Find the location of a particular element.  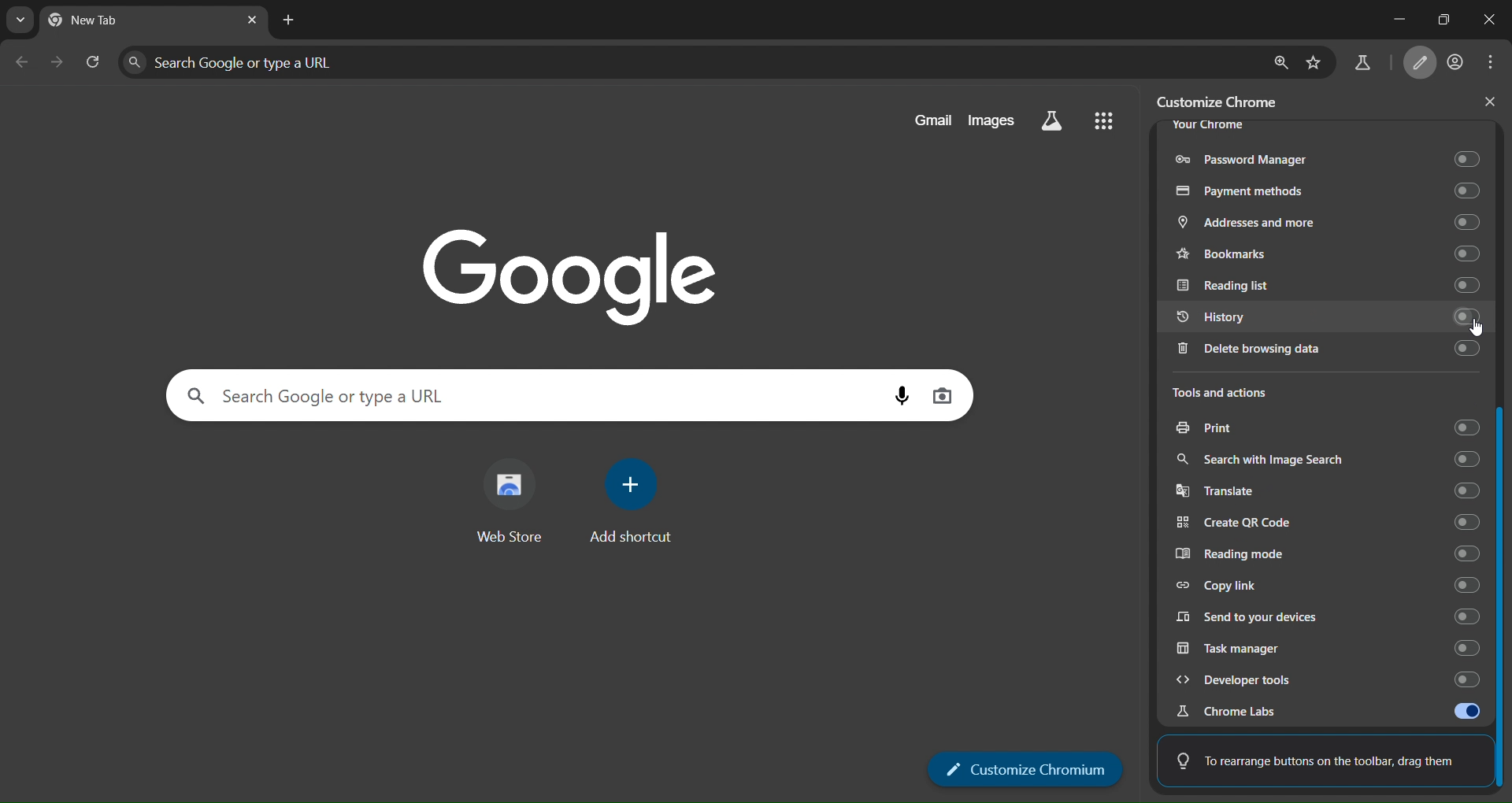

search tabs is located at coordinates (17, 20).